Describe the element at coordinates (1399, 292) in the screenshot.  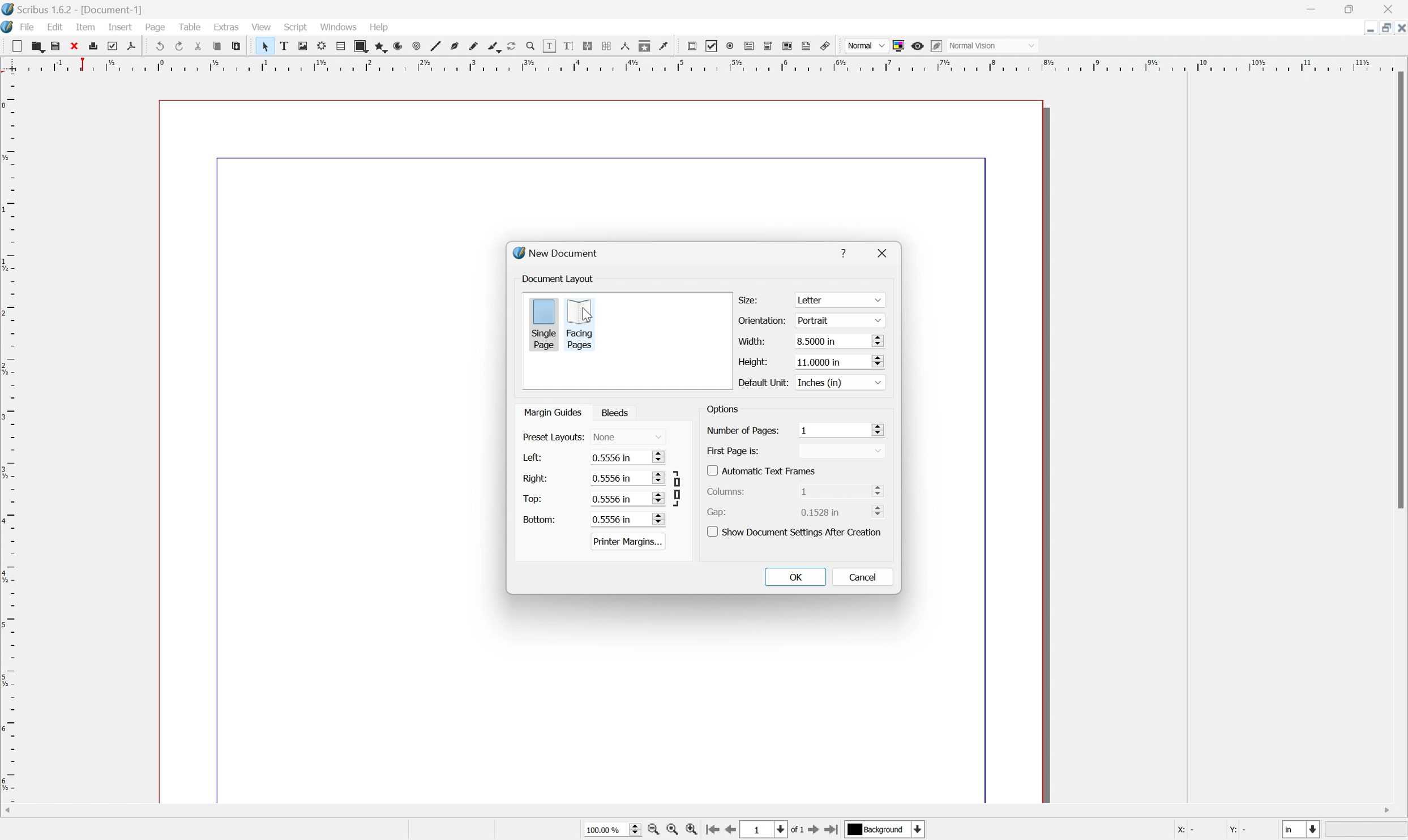
I see `Scroll bar` at that location.